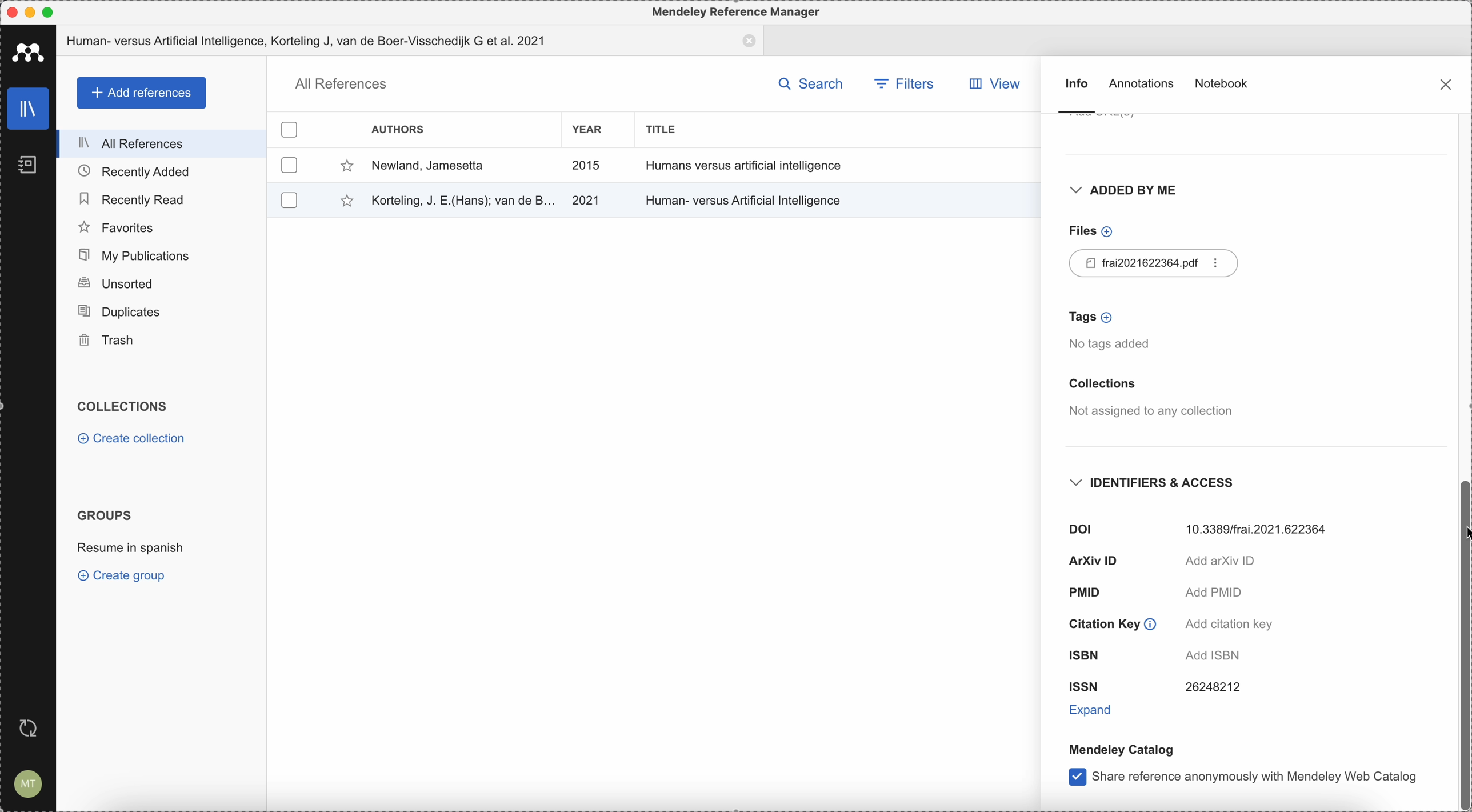  Describe the element at coordinates (586, 201) in the screenshot. I see `2021` at that location.